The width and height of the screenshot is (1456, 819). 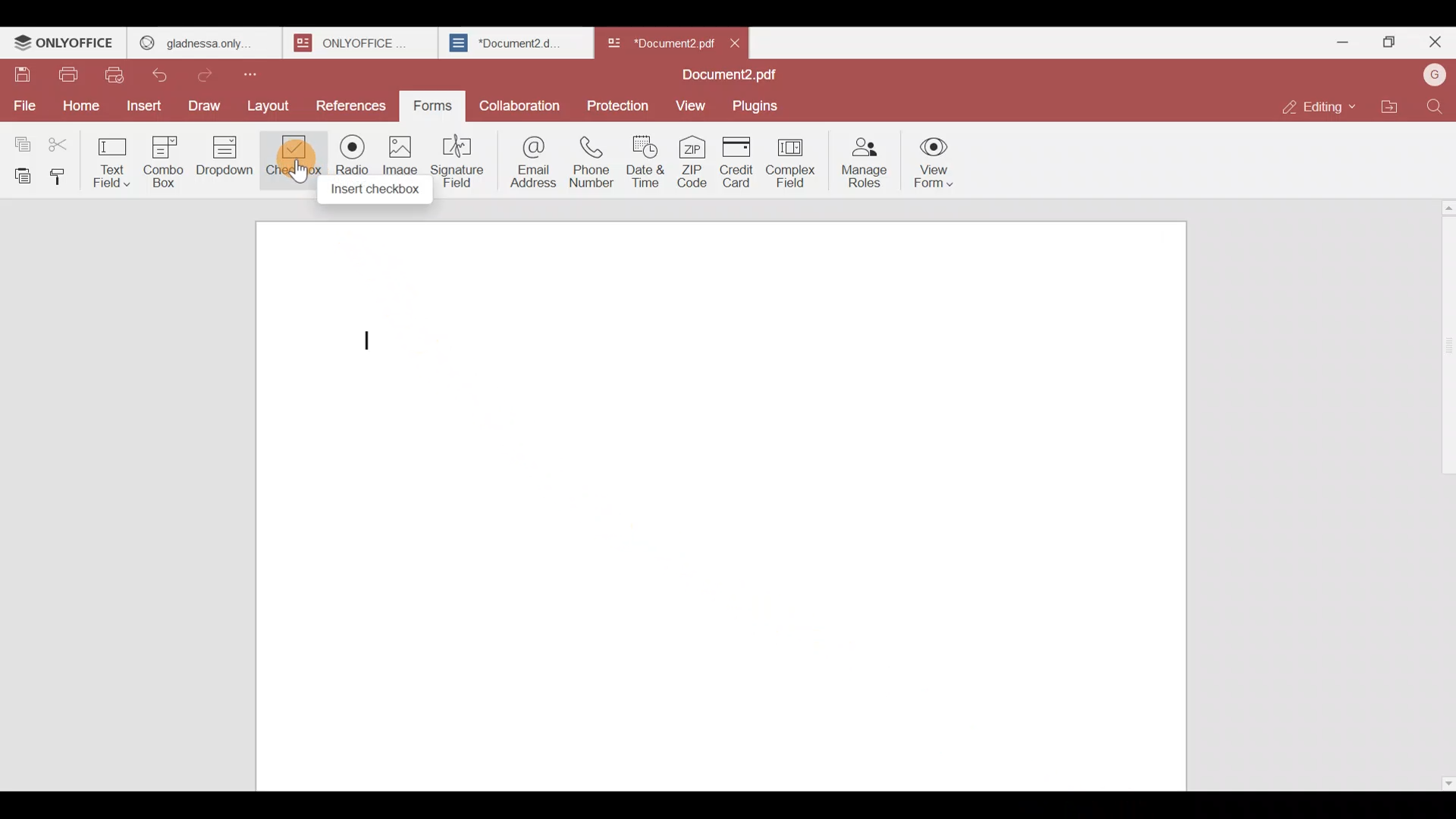 I want to click on Manage roles, so click(x=864, y=158).